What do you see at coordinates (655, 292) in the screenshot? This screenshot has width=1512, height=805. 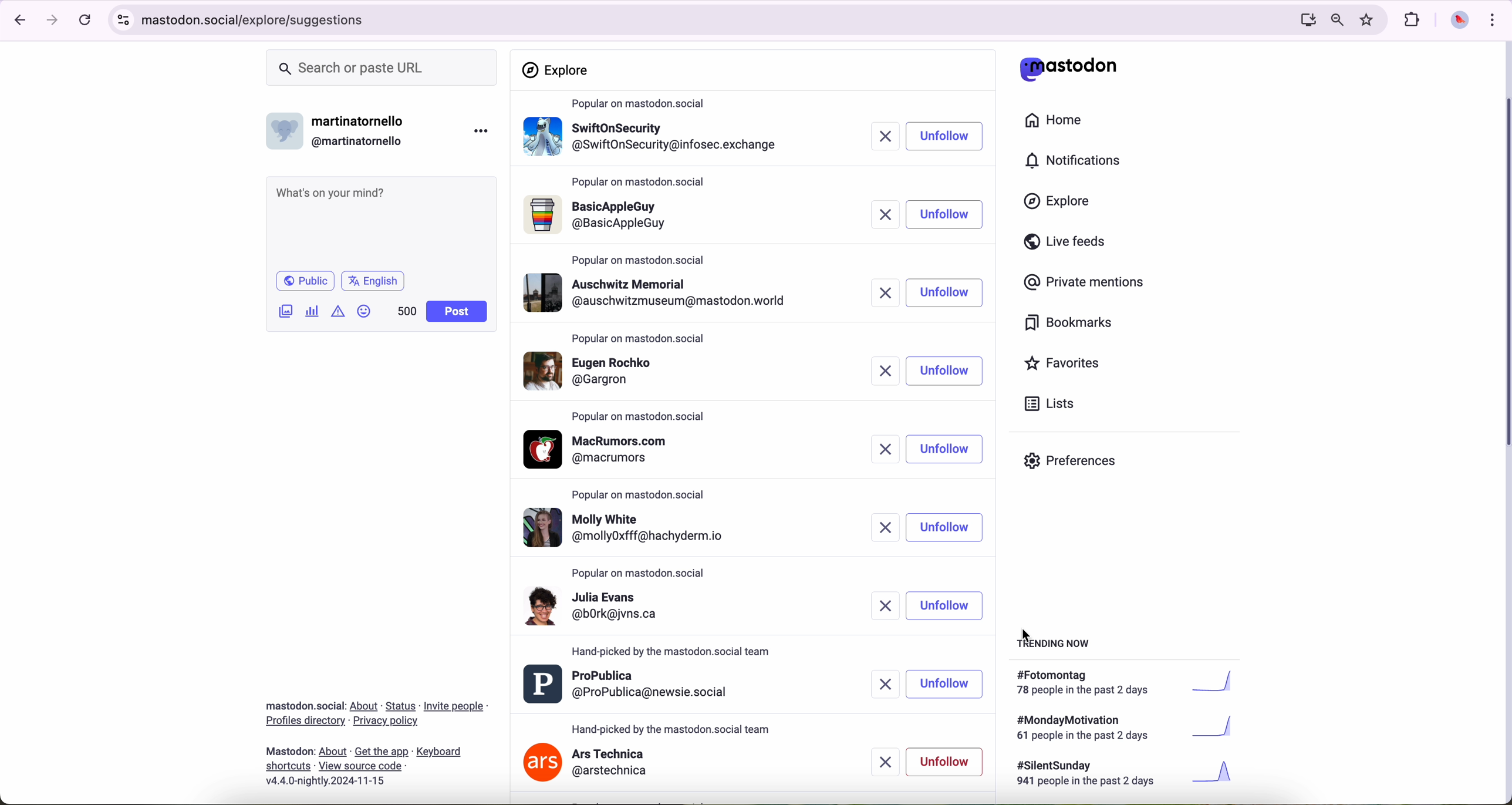 I see `profile` at bounding box center [655, 292].